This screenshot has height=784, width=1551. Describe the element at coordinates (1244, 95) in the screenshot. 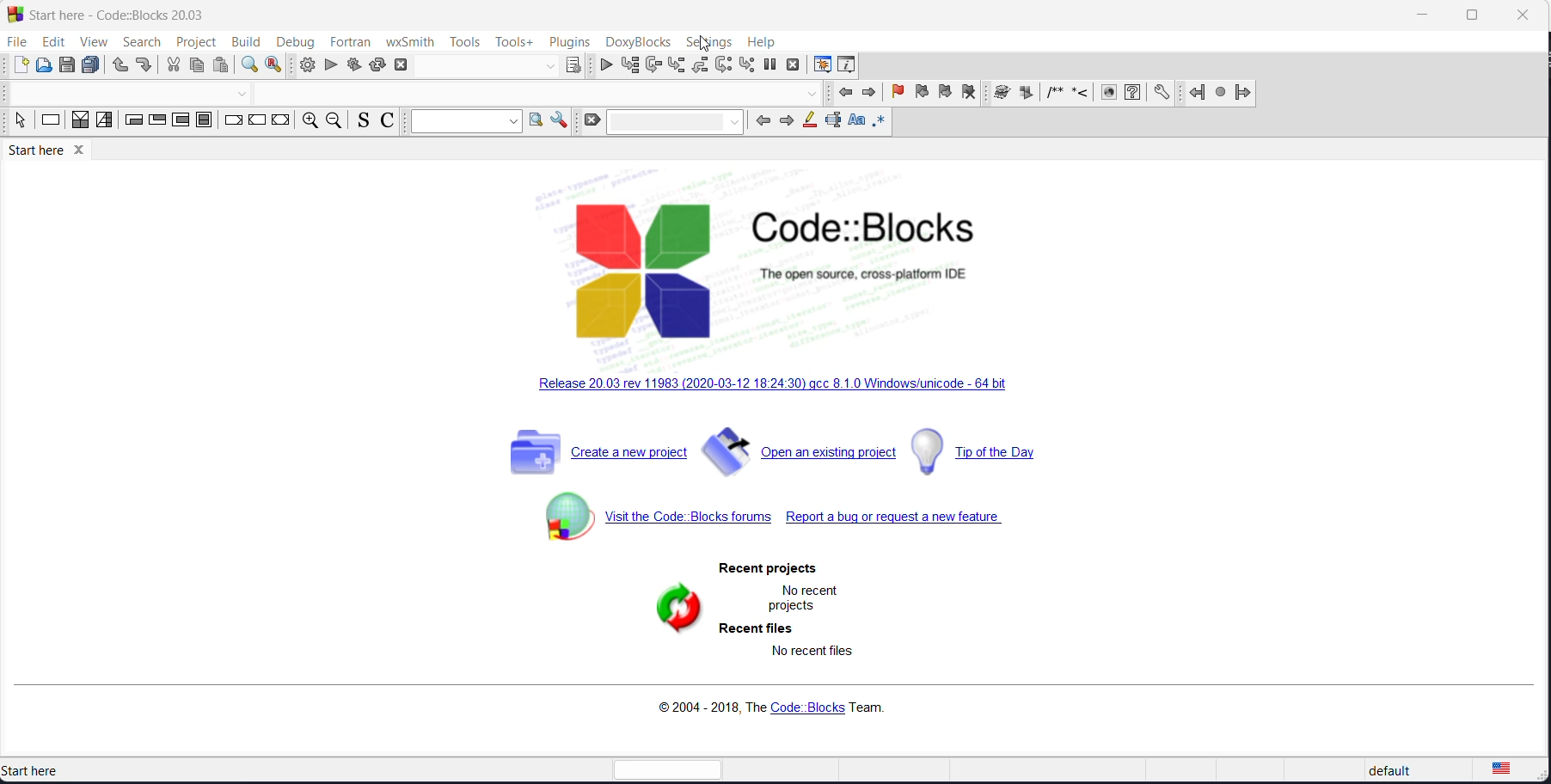

I see `jump forward` at that location.